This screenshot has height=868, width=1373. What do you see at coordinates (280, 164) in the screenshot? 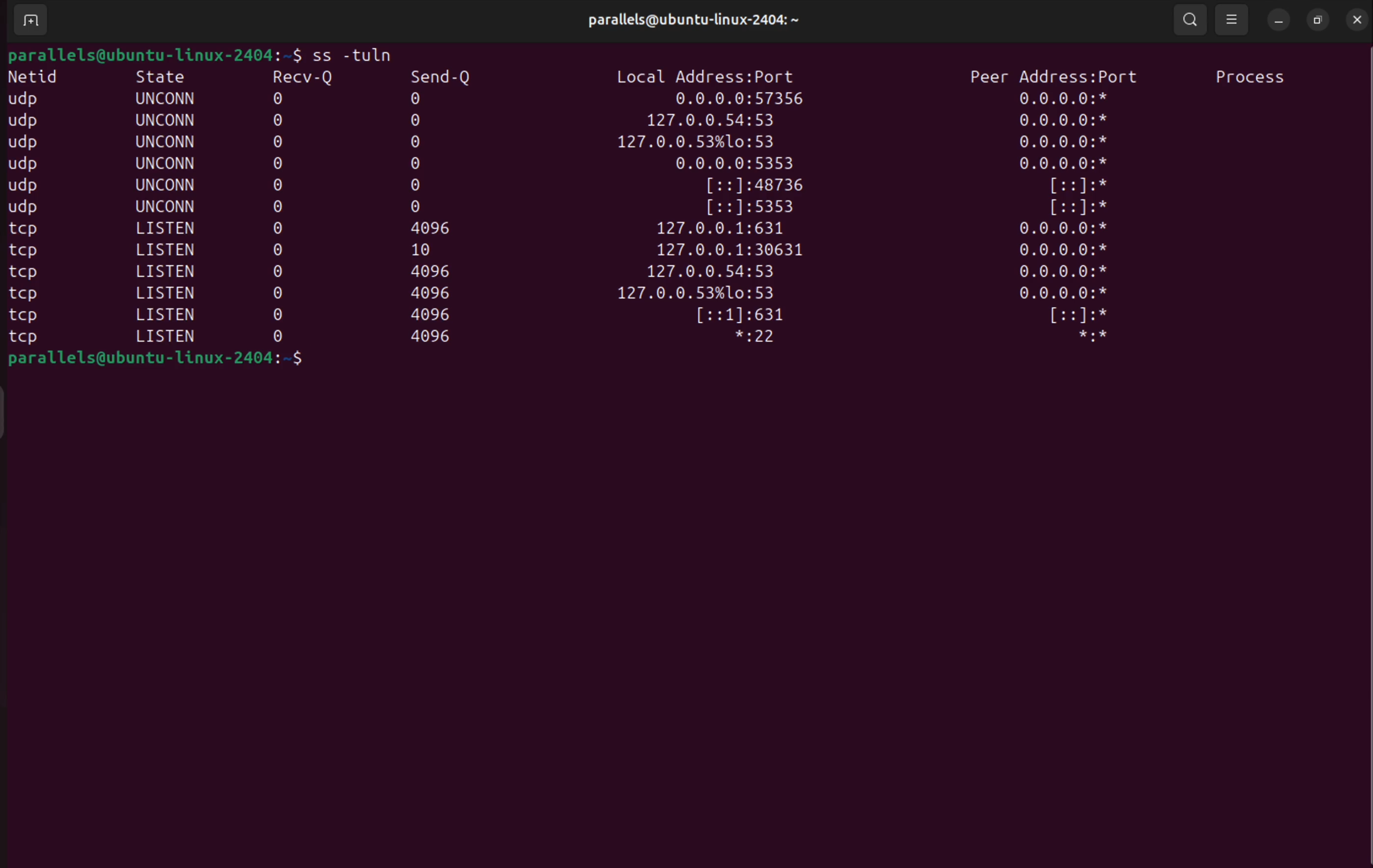
I see `0` at bounding box center [280, 164].